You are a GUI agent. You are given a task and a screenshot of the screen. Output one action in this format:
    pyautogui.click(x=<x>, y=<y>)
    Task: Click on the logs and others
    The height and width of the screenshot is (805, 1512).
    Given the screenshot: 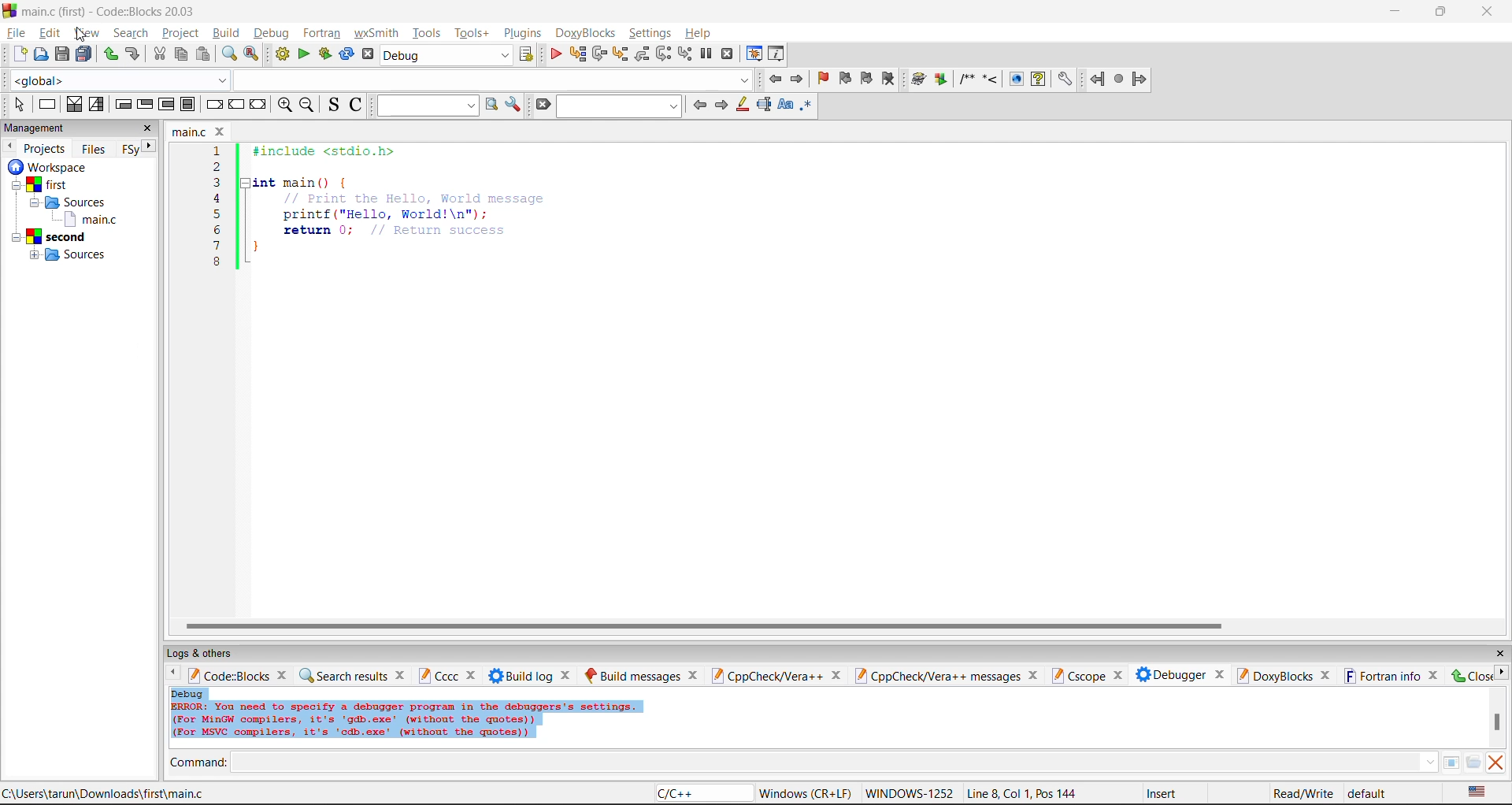 What is the action you would take?
    pyautogui.click(x=206, y=653)
    